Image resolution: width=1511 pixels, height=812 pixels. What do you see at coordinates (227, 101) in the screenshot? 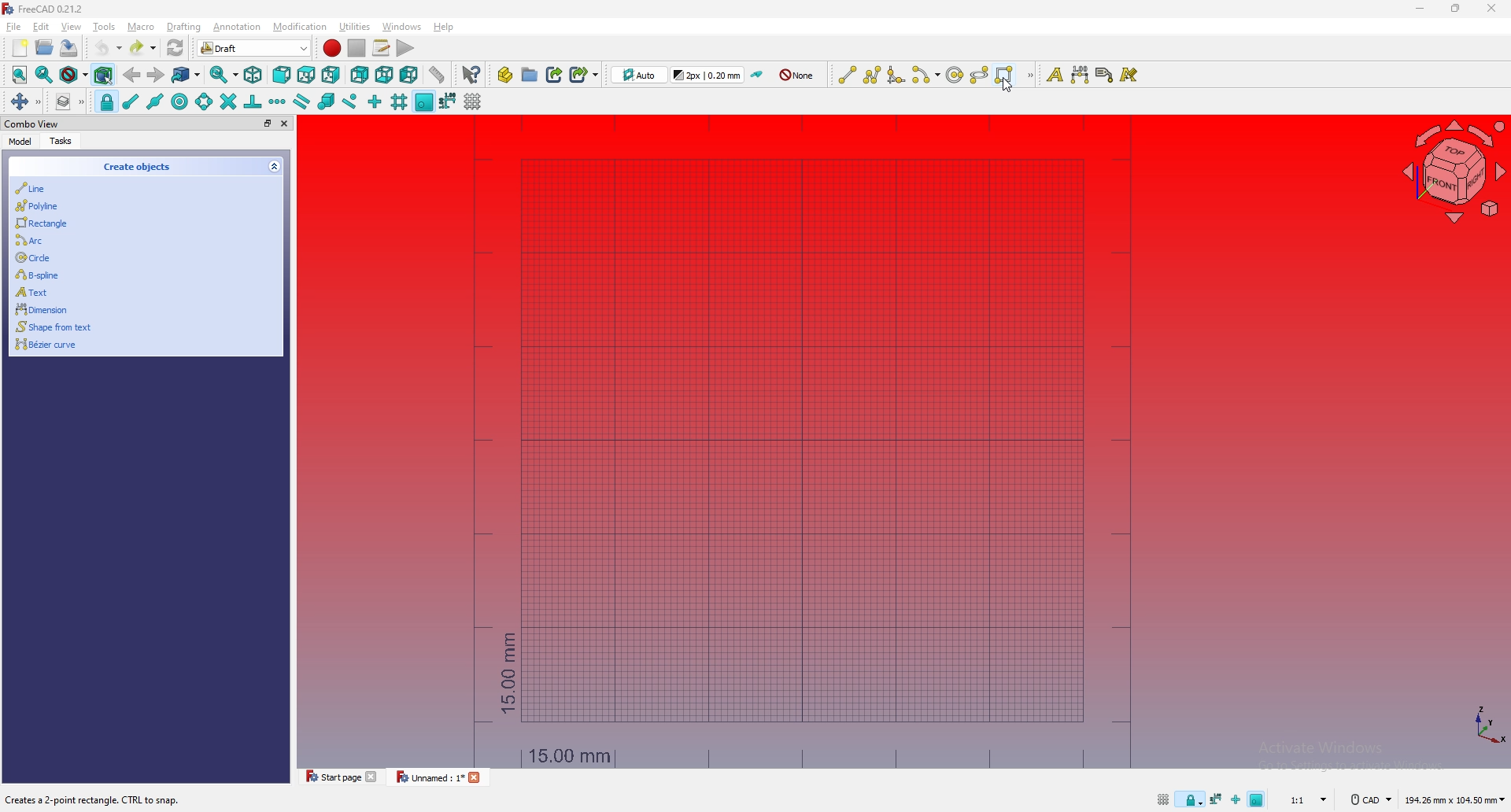
I see `snap intersection` at bounding box center [227, 101].